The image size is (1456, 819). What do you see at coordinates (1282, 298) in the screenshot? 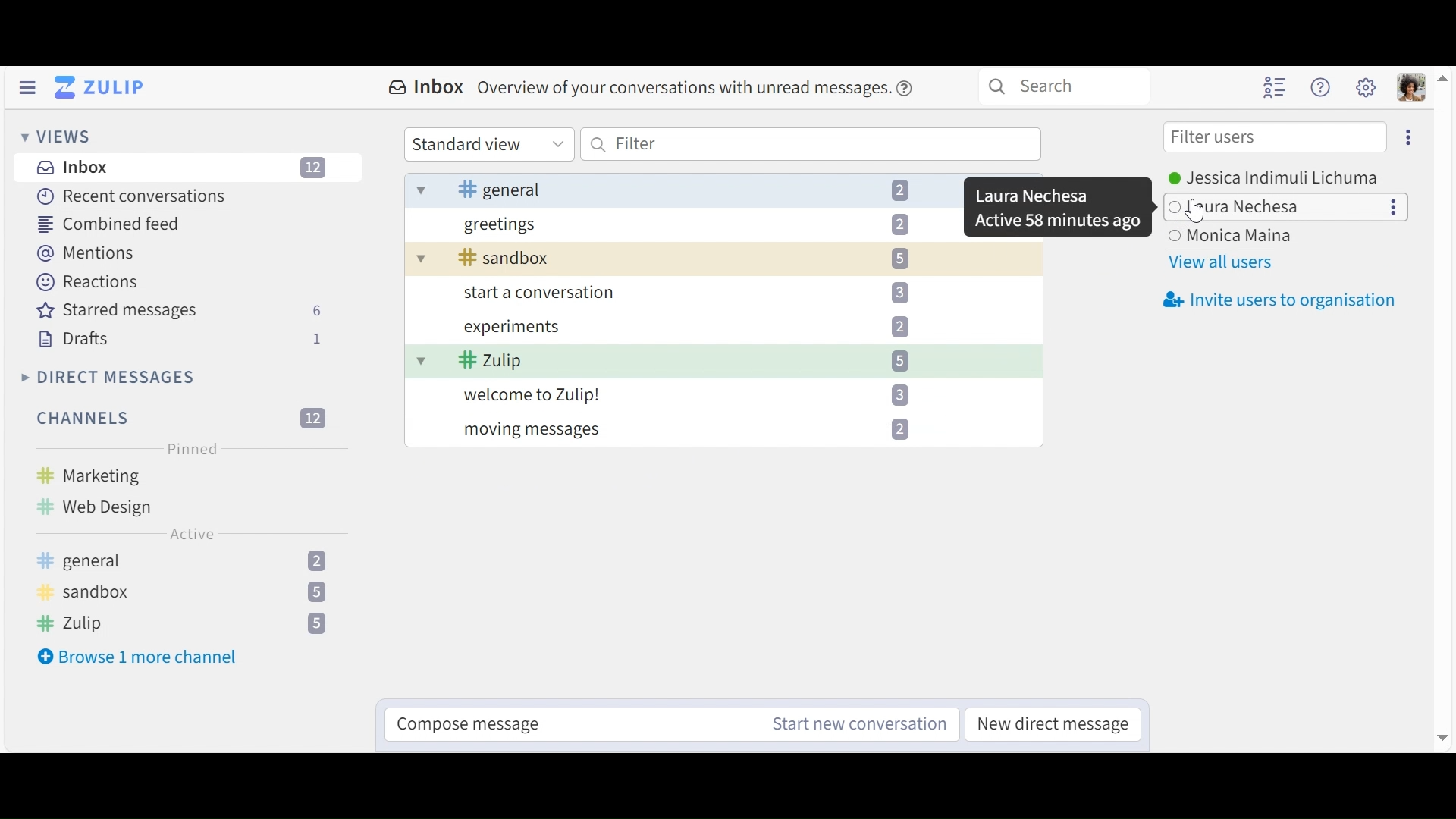
I see `Invite users to organisation` at bounding box center [1282, 298].